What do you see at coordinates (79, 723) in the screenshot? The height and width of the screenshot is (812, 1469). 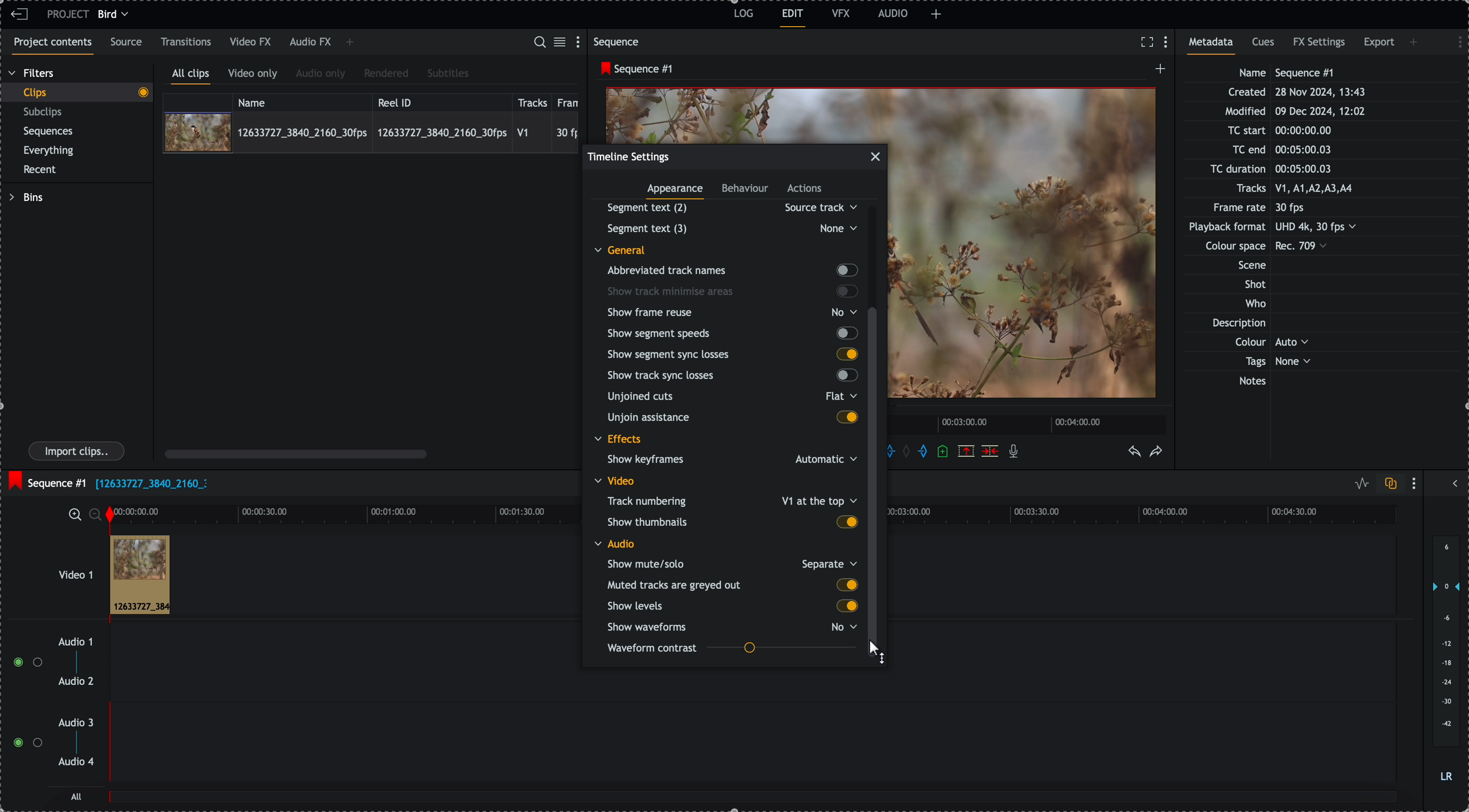 I see `audio 3` at bounding box center [79, 723].